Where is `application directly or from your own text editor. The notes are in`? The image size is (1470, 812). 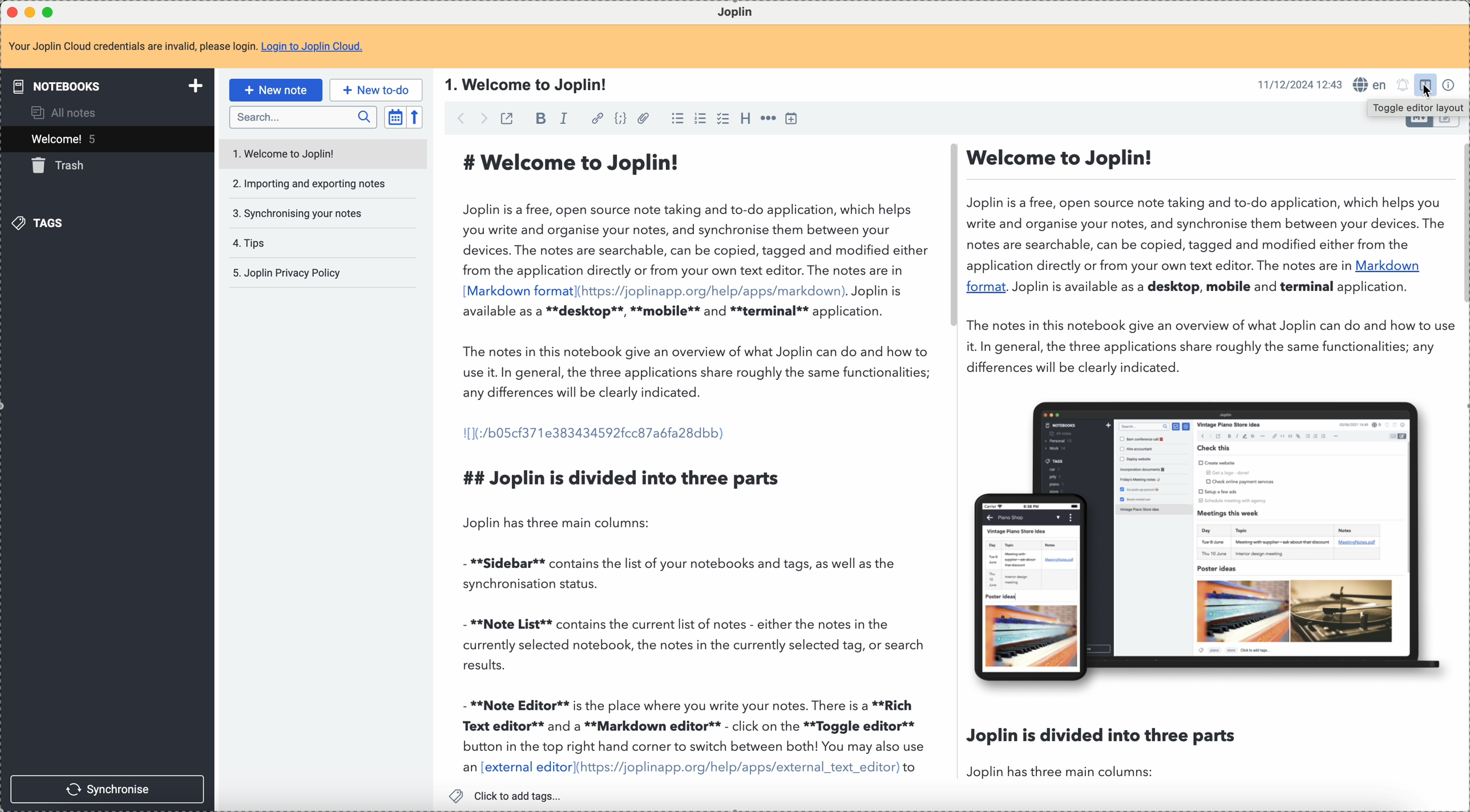
application directly or from your own text editor. The notes are in is located at coordinates (1159, 265).